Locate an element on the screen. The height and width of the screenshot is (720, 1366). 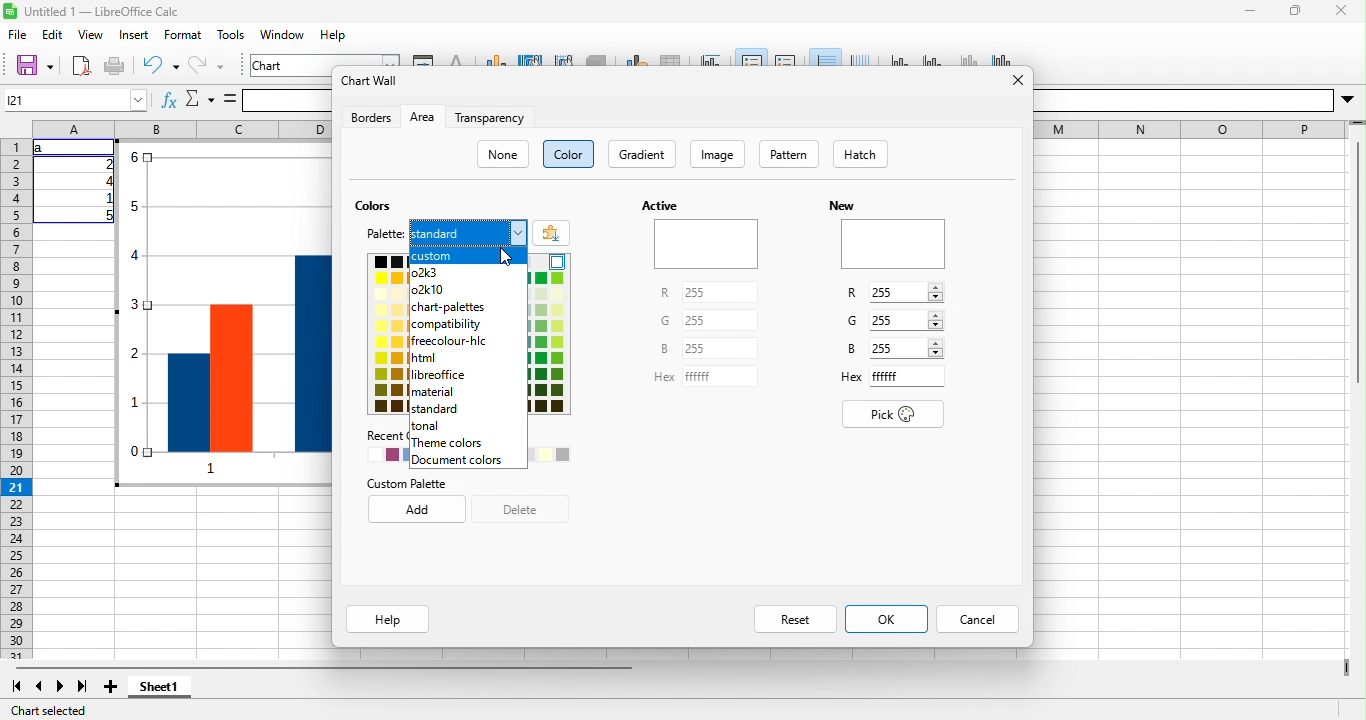
Vertical slide bar is located at coordinates (1358, 253).